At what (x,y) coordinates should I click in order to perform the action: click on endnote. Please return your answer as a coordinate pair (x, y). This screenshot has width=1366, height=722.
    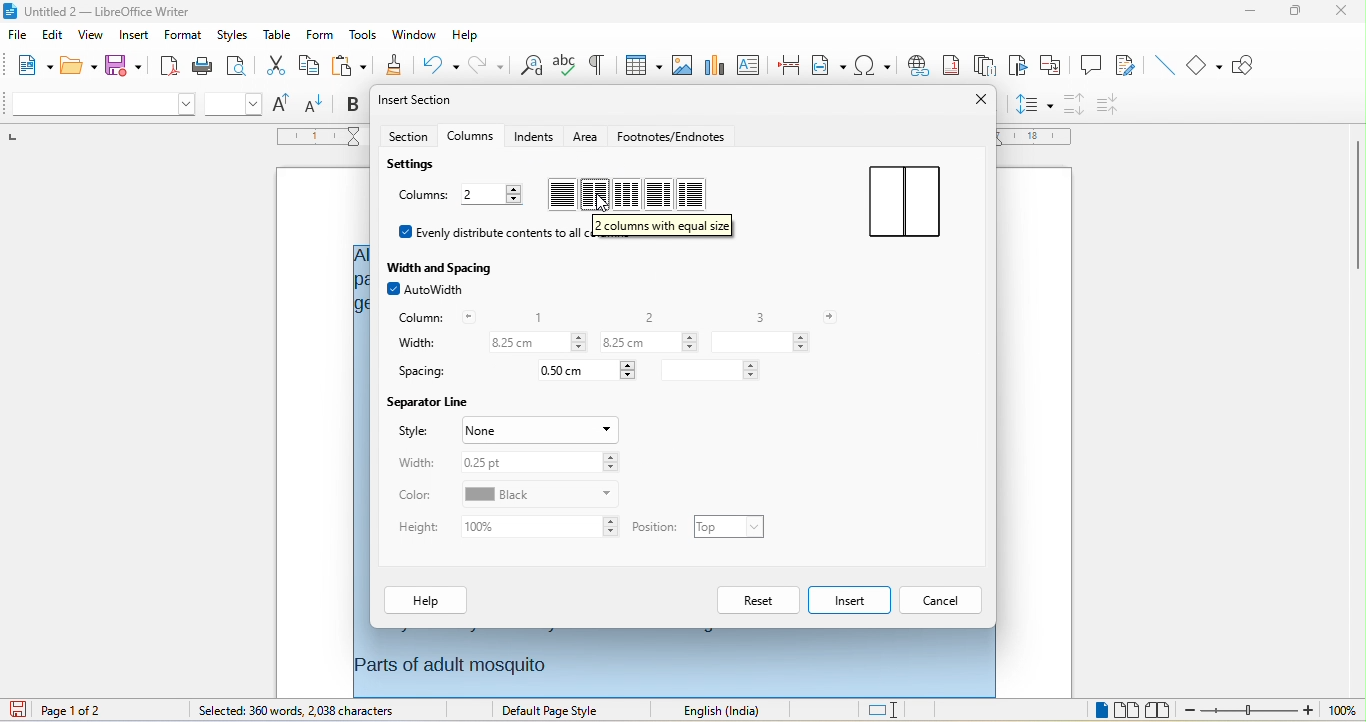
    Looking at the image, I should click on (987, 67).